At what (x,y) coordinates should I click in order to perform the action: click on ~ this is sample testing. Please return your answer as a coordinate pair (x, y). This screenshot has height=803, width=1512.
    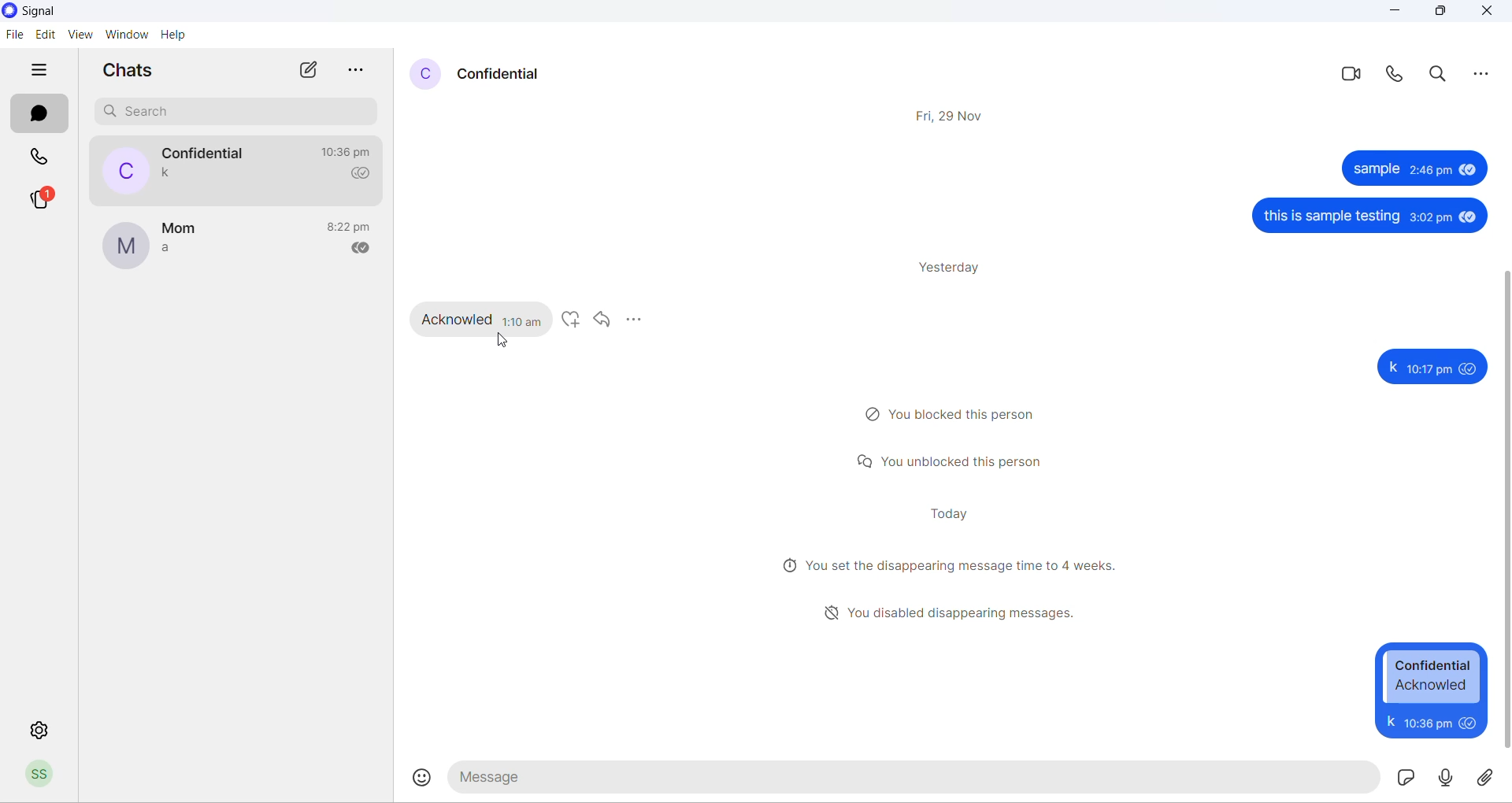
    Looking at the image, I should click on (1330, 217).